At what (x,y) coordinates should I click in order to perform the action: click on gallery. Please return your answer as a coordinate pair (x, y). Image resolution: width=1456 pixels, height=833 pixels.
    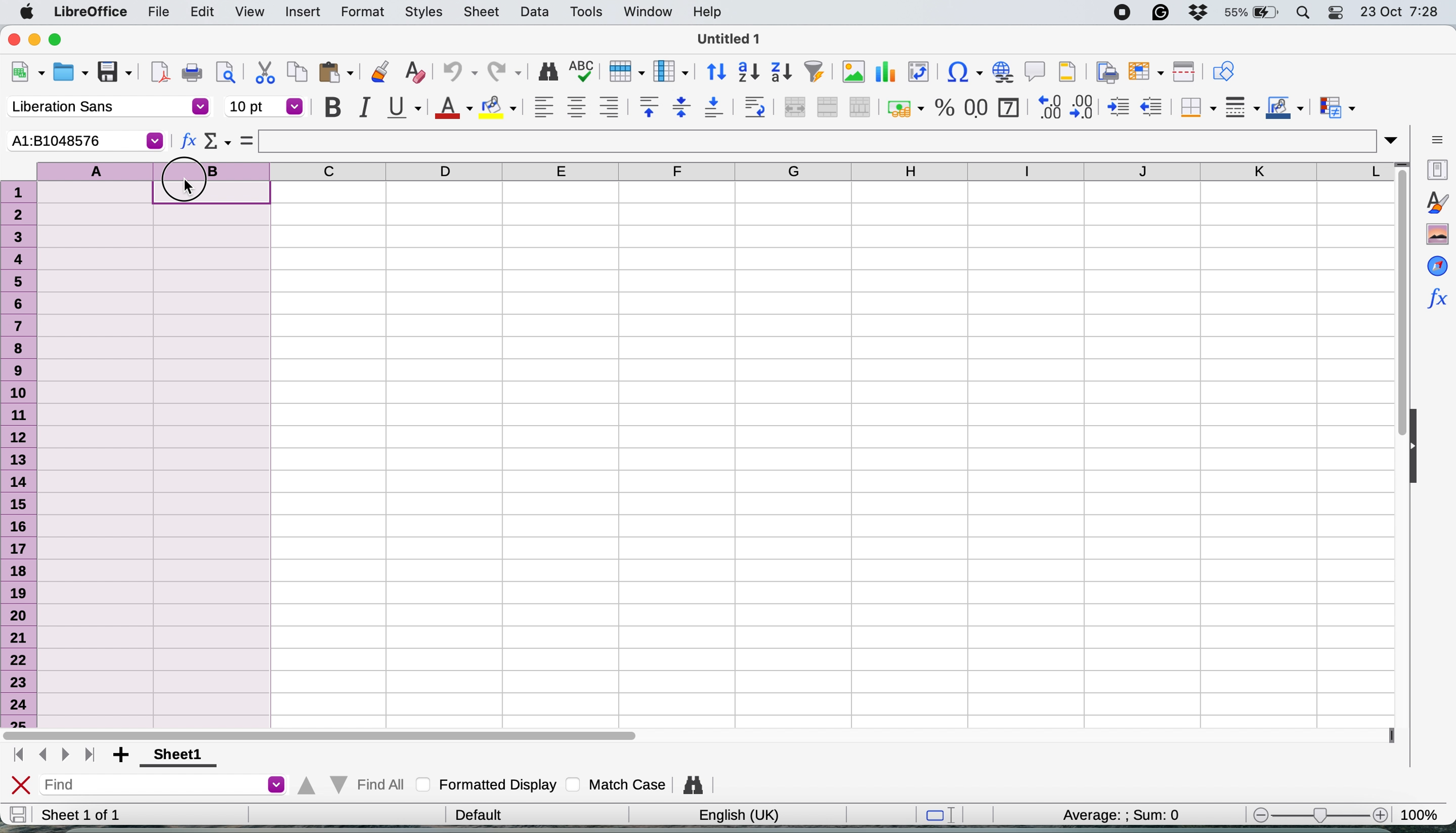
    Looking at the image, I should click on (1435, 233).